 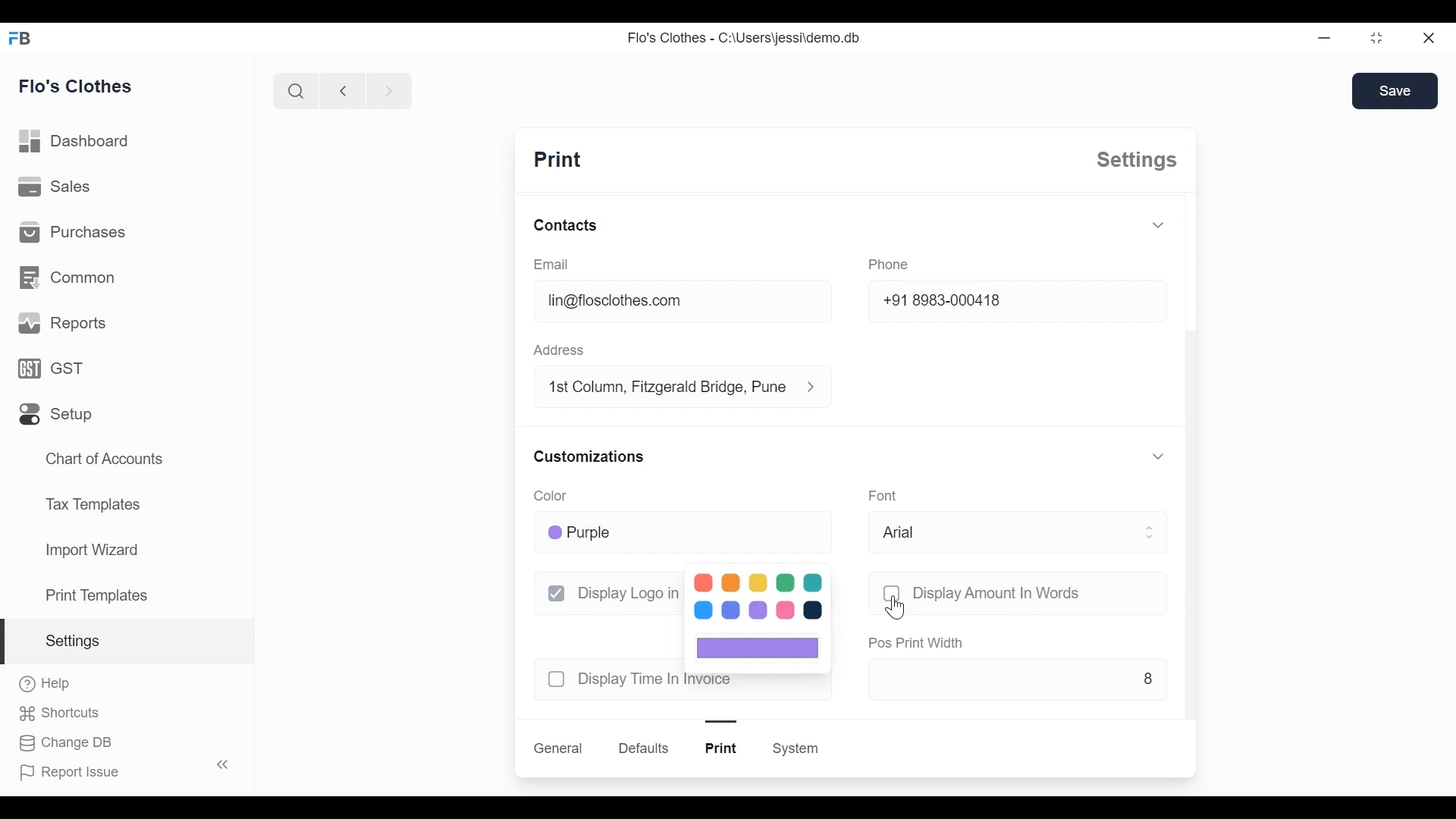 I want to click on color 10, so click(x=812, y=610).